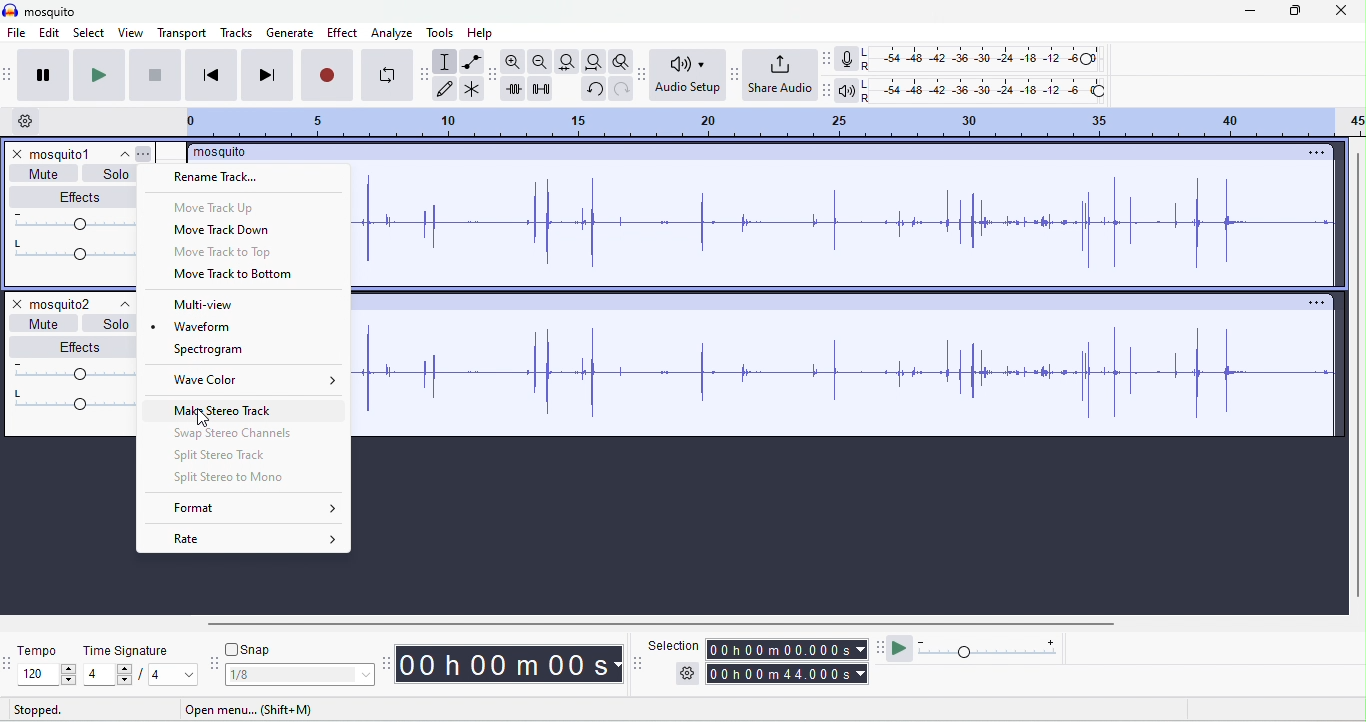 This screenshot has height=722, width=1366. Describe the element at coordinates (512, 88) in the screenshot. I see `trim outside selection` at that location.